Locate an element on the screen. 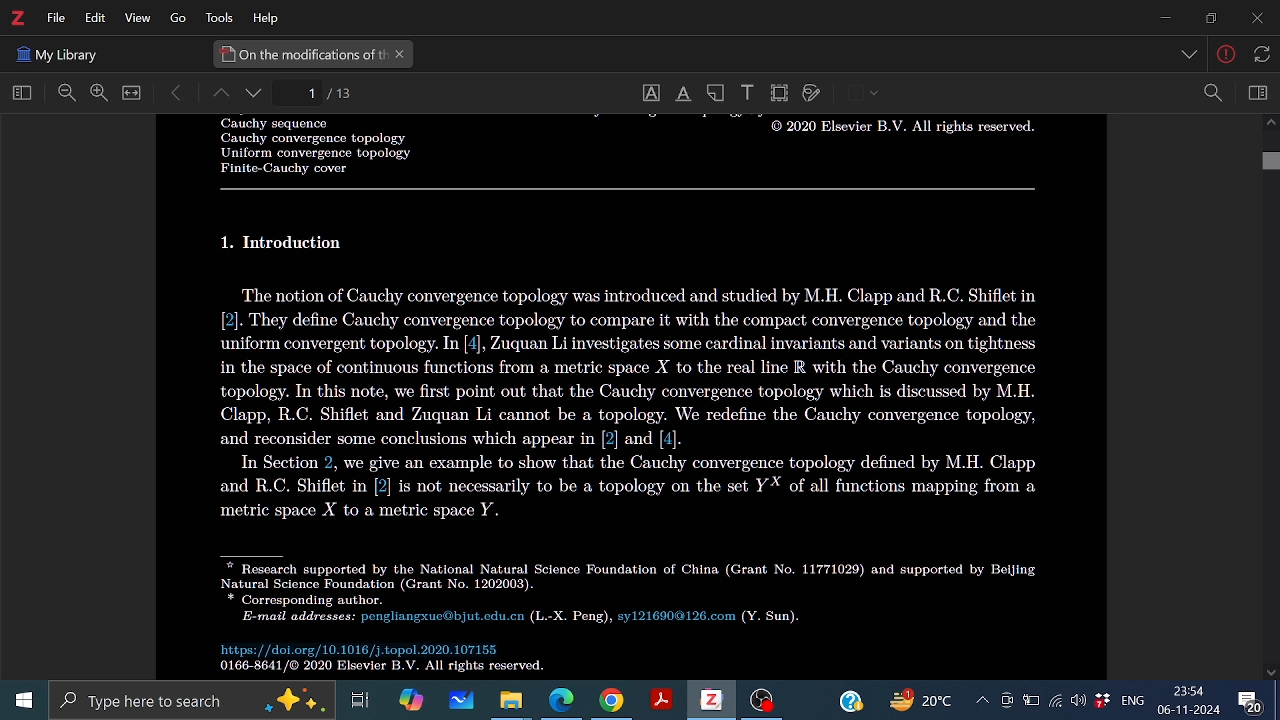 This screenshot has width=1280, height=720. HElp is located at coordinates (270, 17).